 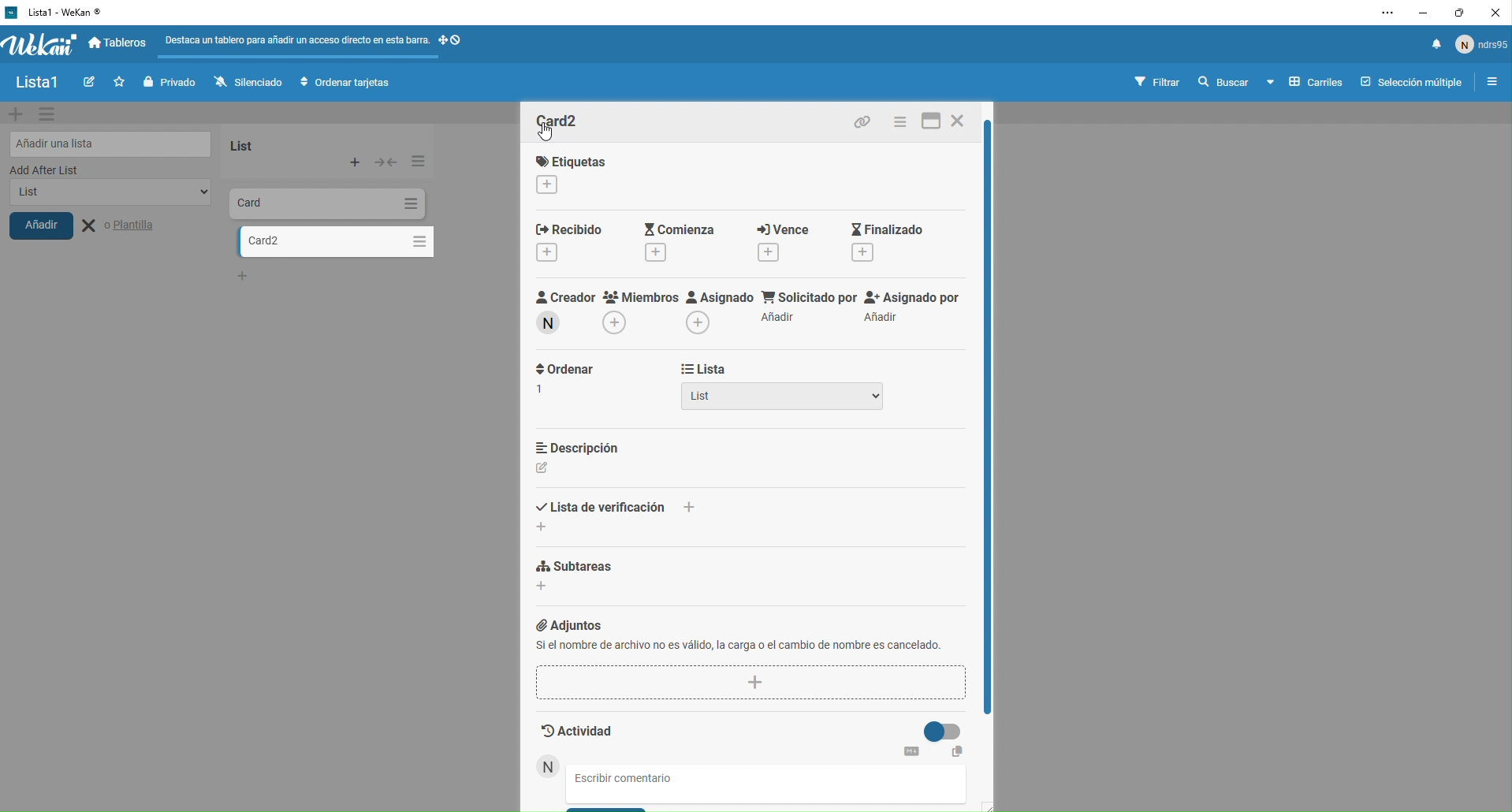 I want to click on Miembros, so click(x=640, y=316).